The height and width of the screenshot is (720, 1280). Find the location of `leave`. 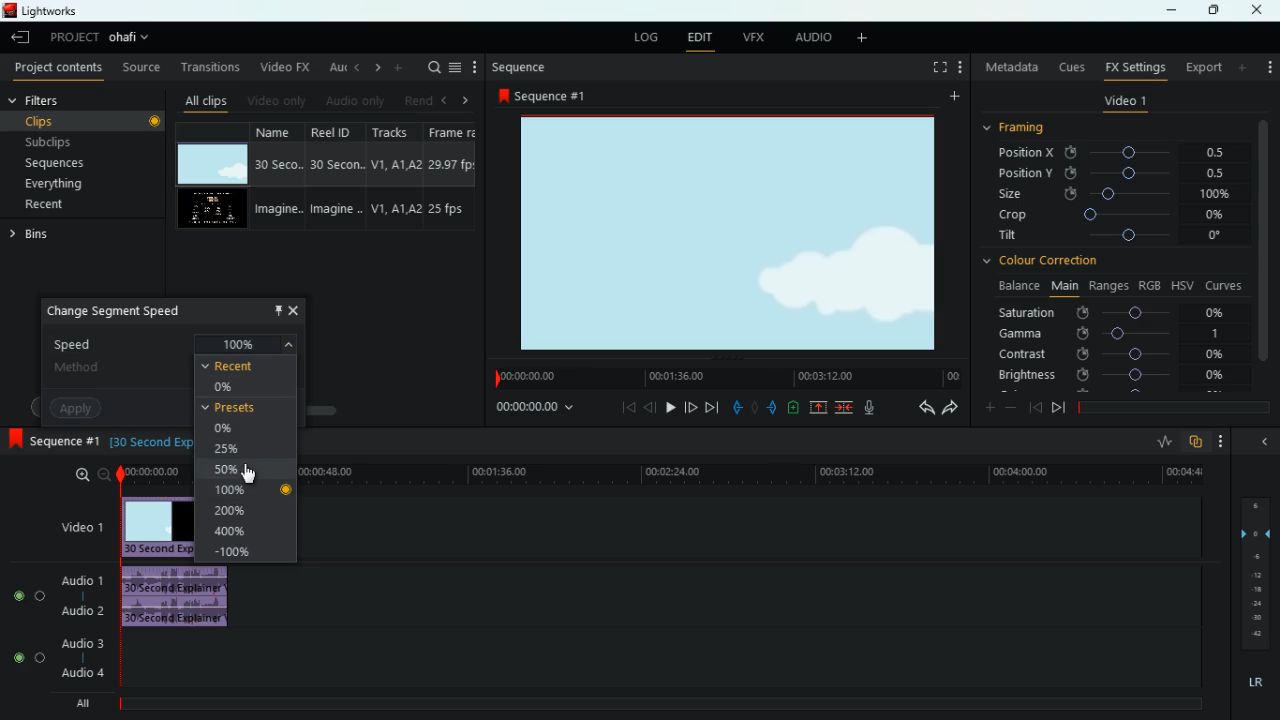

leave is located at coordinates (20, 37).